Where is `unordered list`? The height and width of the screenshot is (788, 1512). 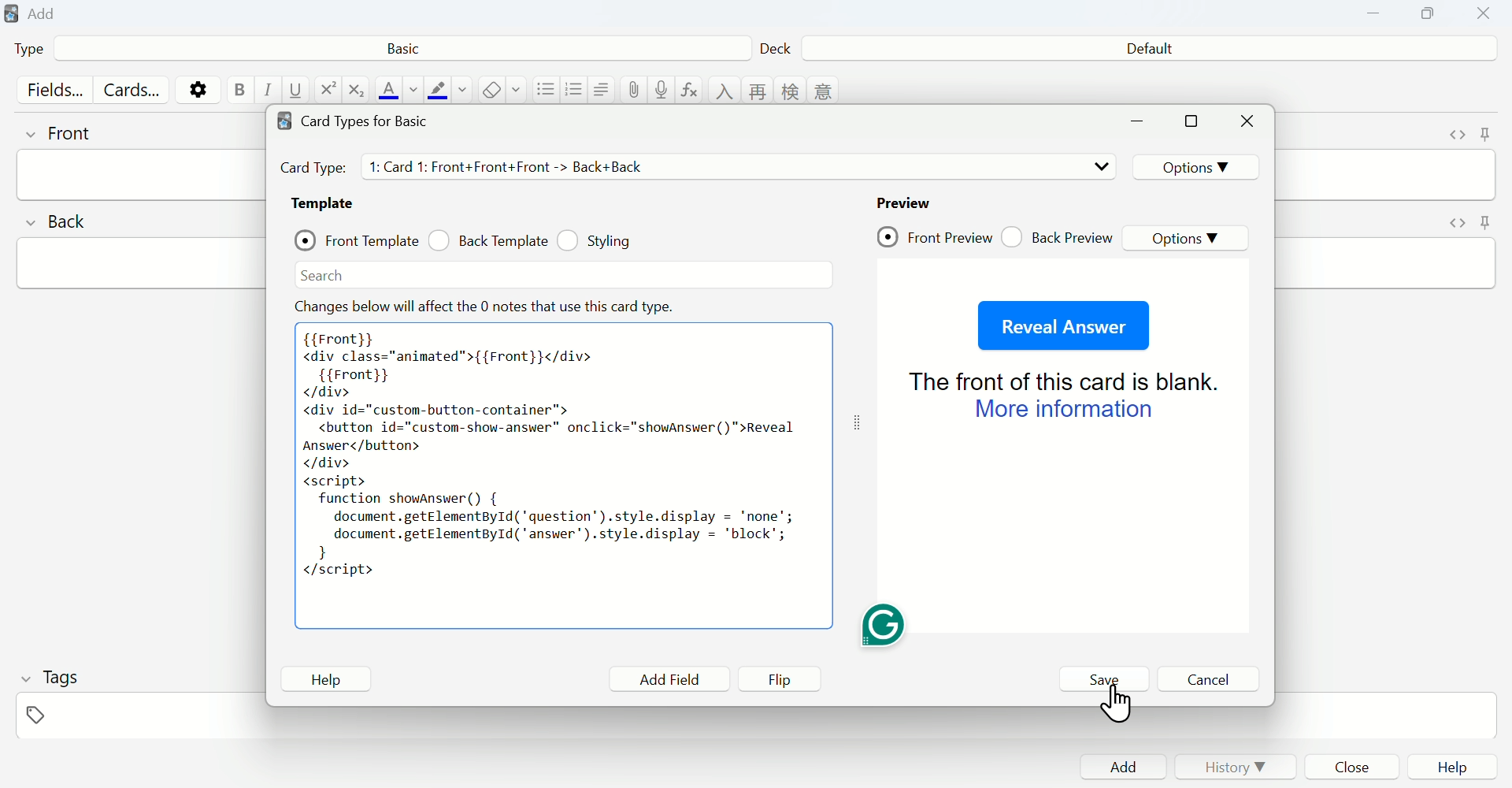
unordered list is located at coordinates (545, 90).